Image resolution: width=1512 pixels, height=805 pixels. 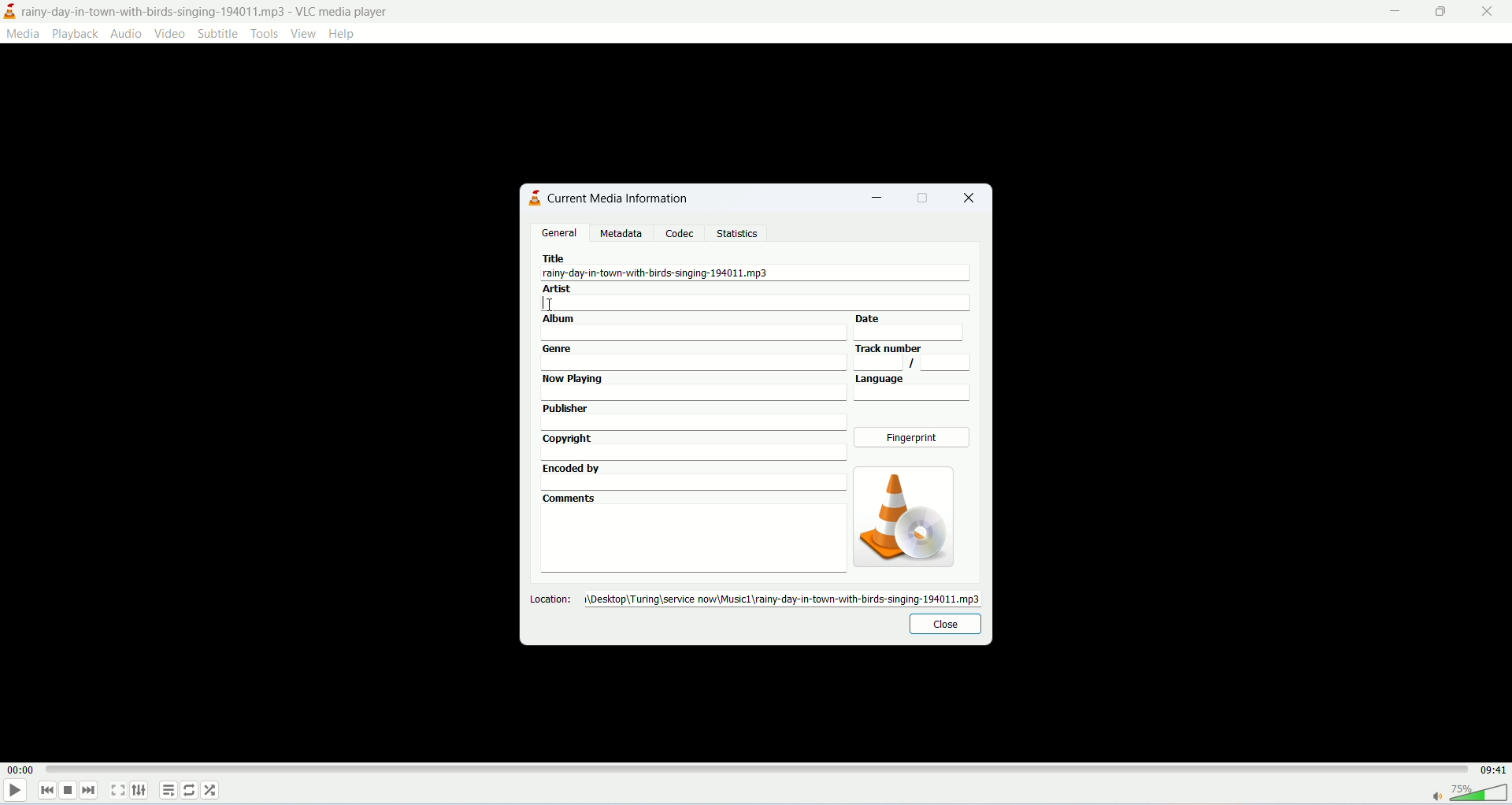 What do you see at coordinates (757, 298) in the screenshot?
I see `artist` at bounding box center [757, 298].